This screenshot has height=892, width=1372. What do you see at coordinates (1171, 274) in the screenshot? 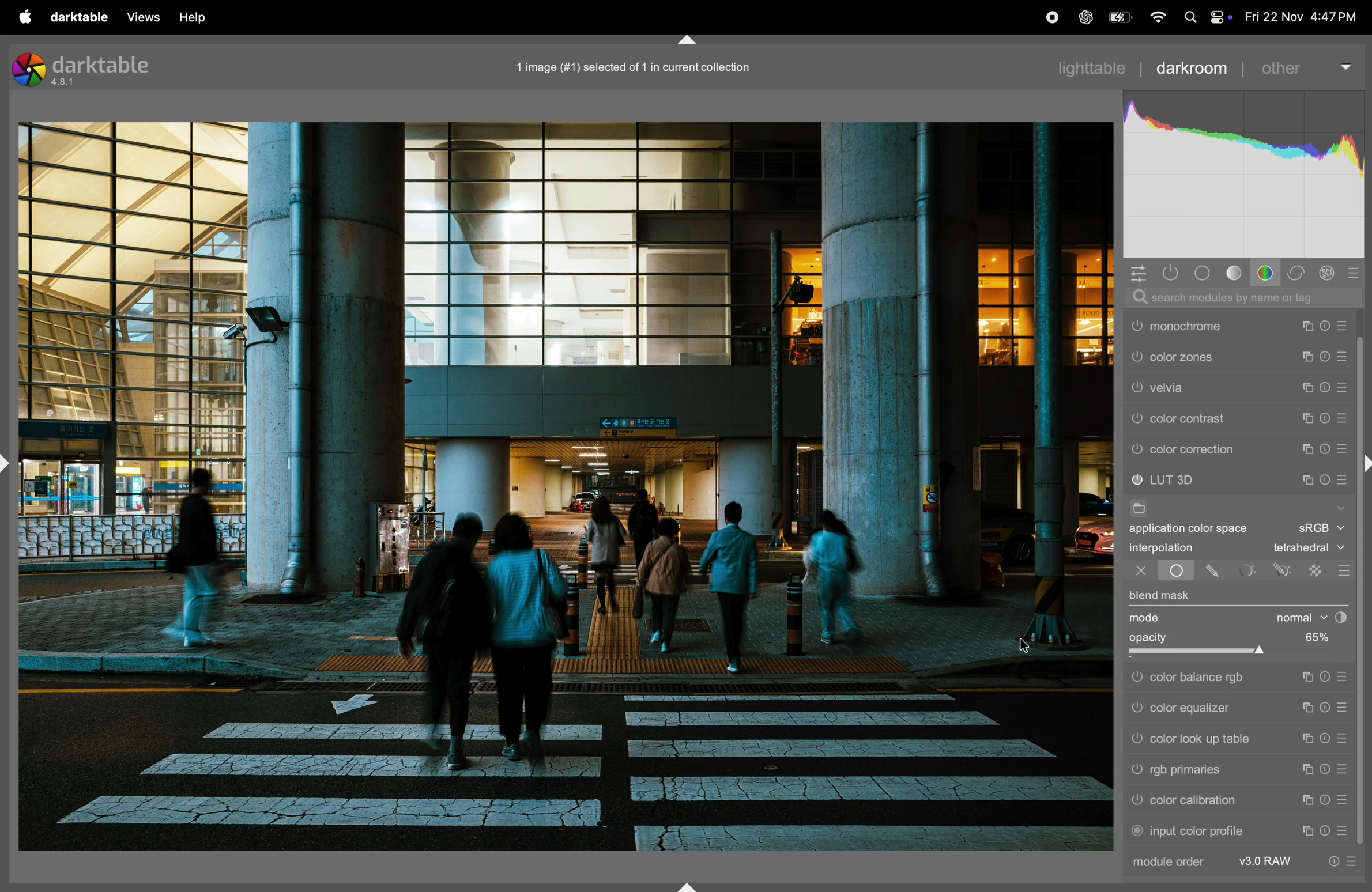
I see `show only activity modules` at bounding box center [1171, 274].